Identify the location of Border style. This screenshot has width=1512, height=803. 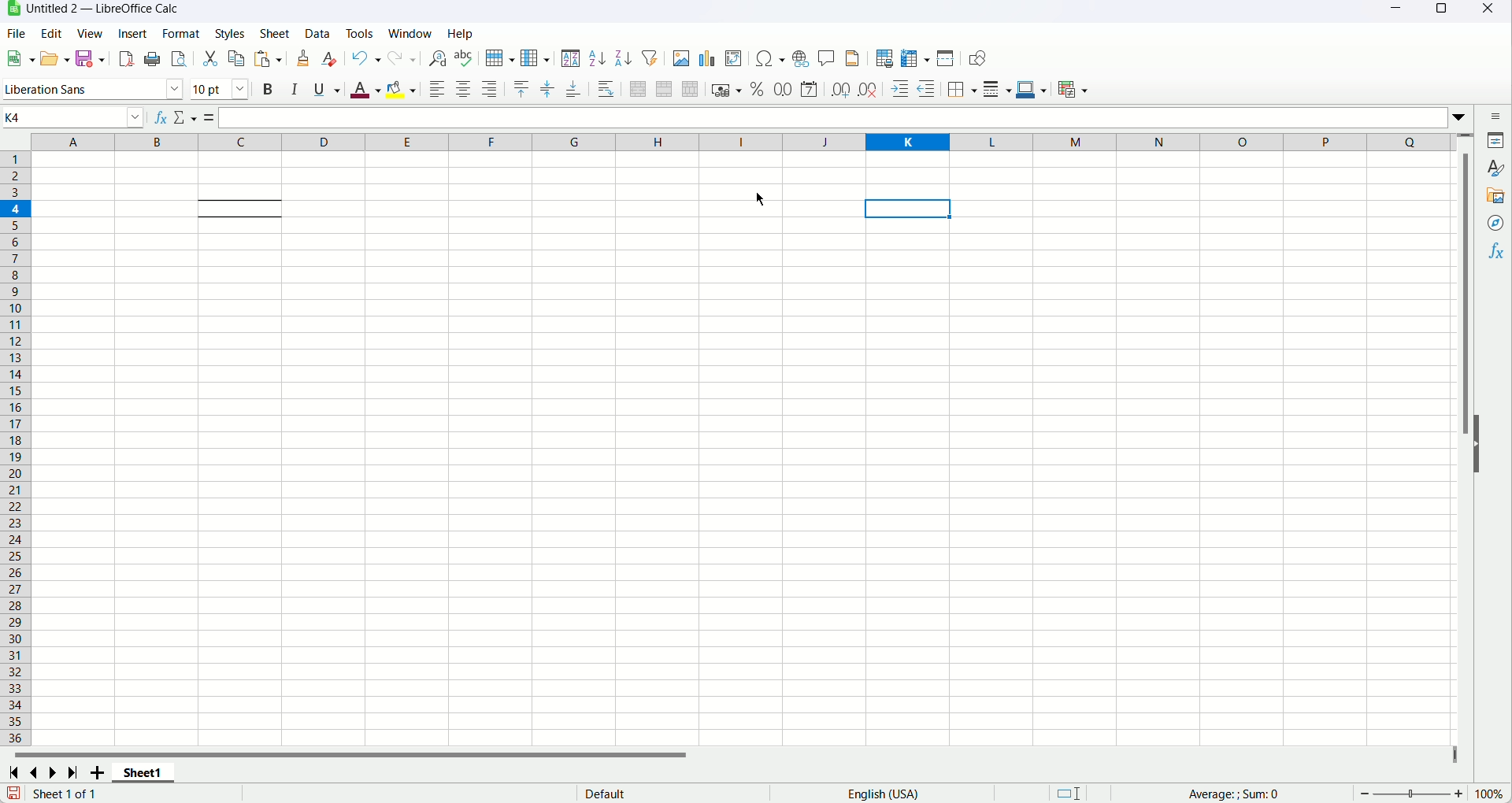
(996, 89).